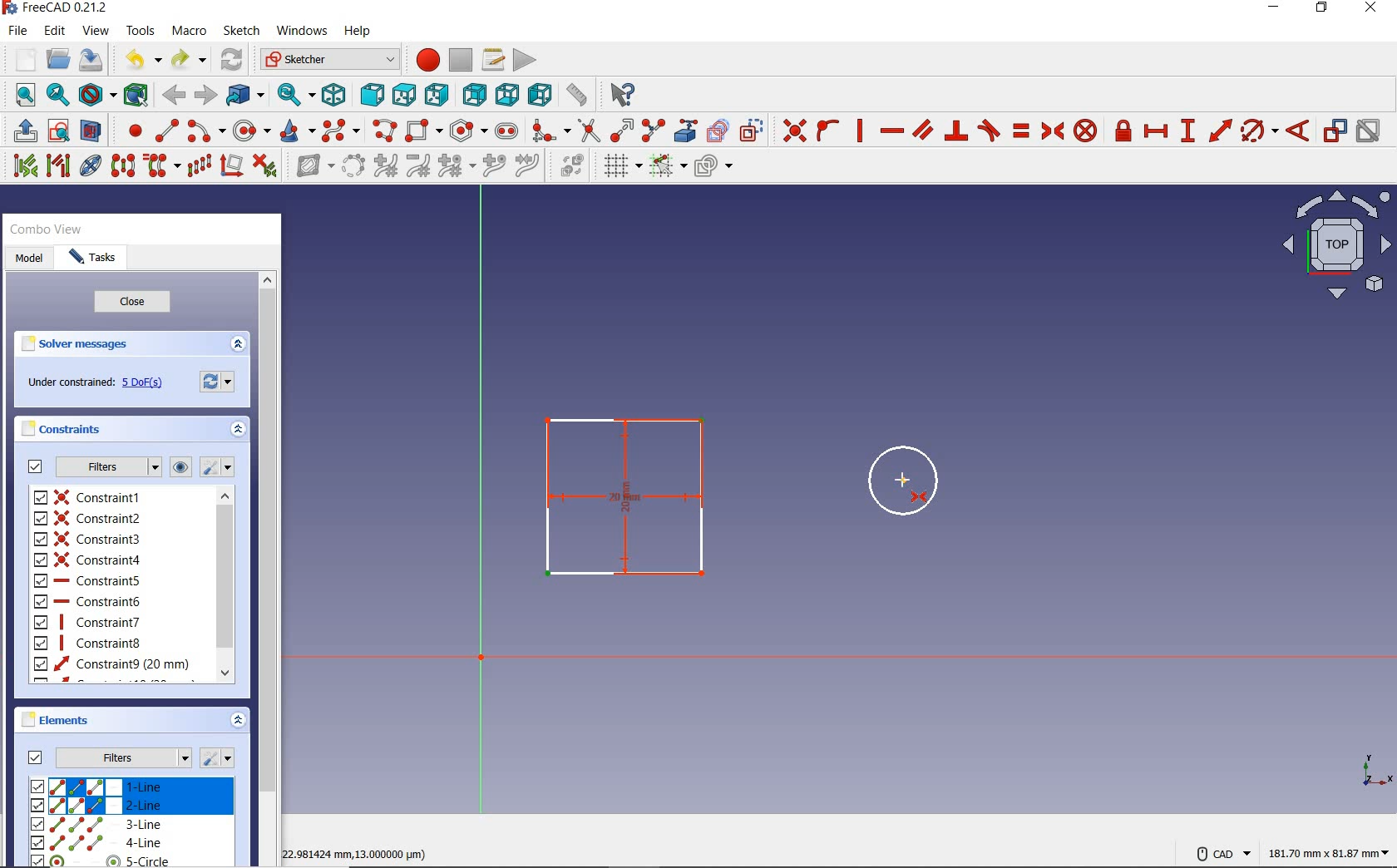 This screenshot has height=868, width=1397. Describe the element at coordinates (272, 279) in the screenshot. I see `Scroll up` at that location.